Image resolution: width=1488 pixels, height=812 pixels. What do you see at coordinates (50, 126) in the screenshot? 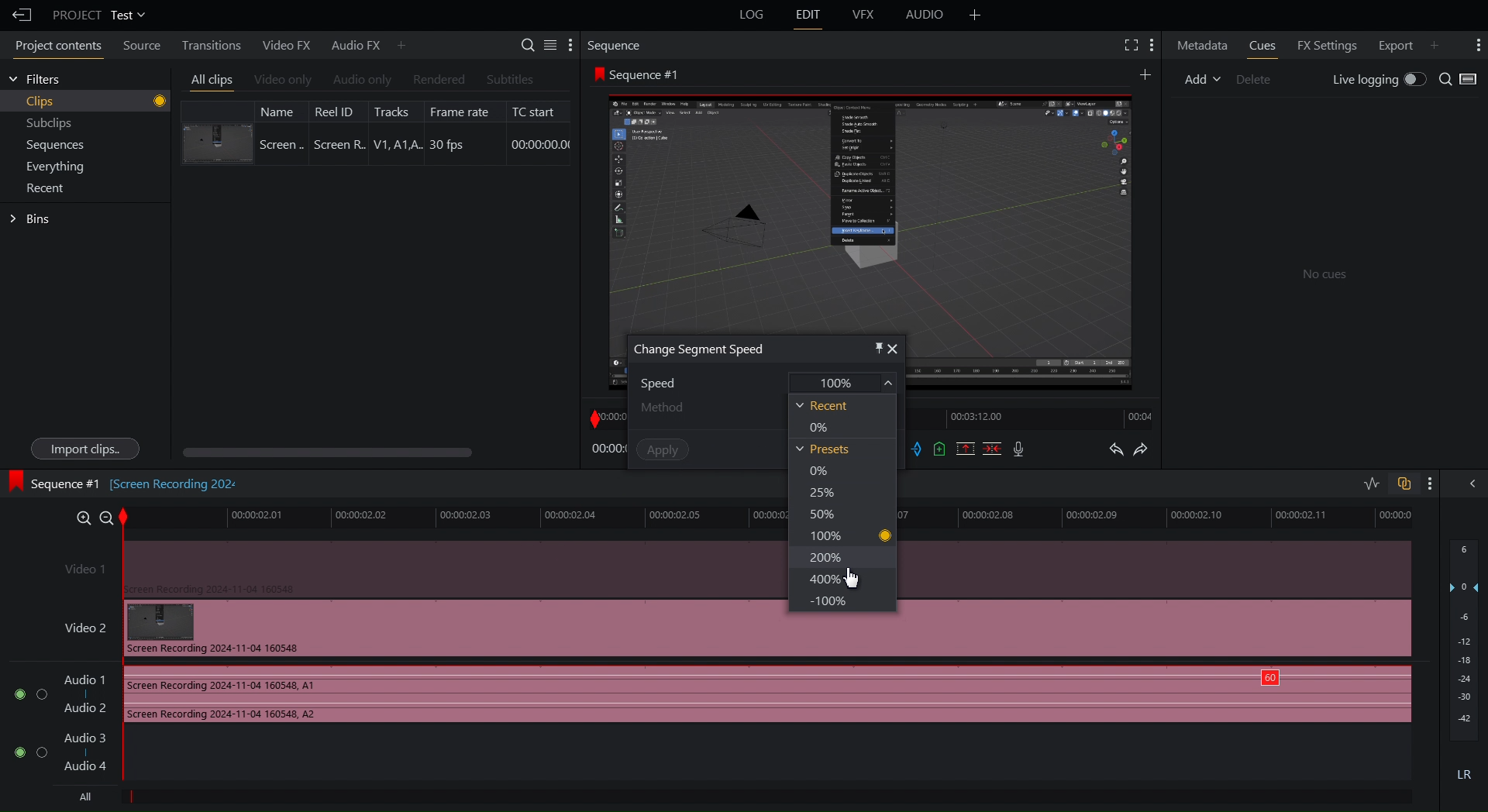
I see `Subclips` at bounding box center [50, 126].